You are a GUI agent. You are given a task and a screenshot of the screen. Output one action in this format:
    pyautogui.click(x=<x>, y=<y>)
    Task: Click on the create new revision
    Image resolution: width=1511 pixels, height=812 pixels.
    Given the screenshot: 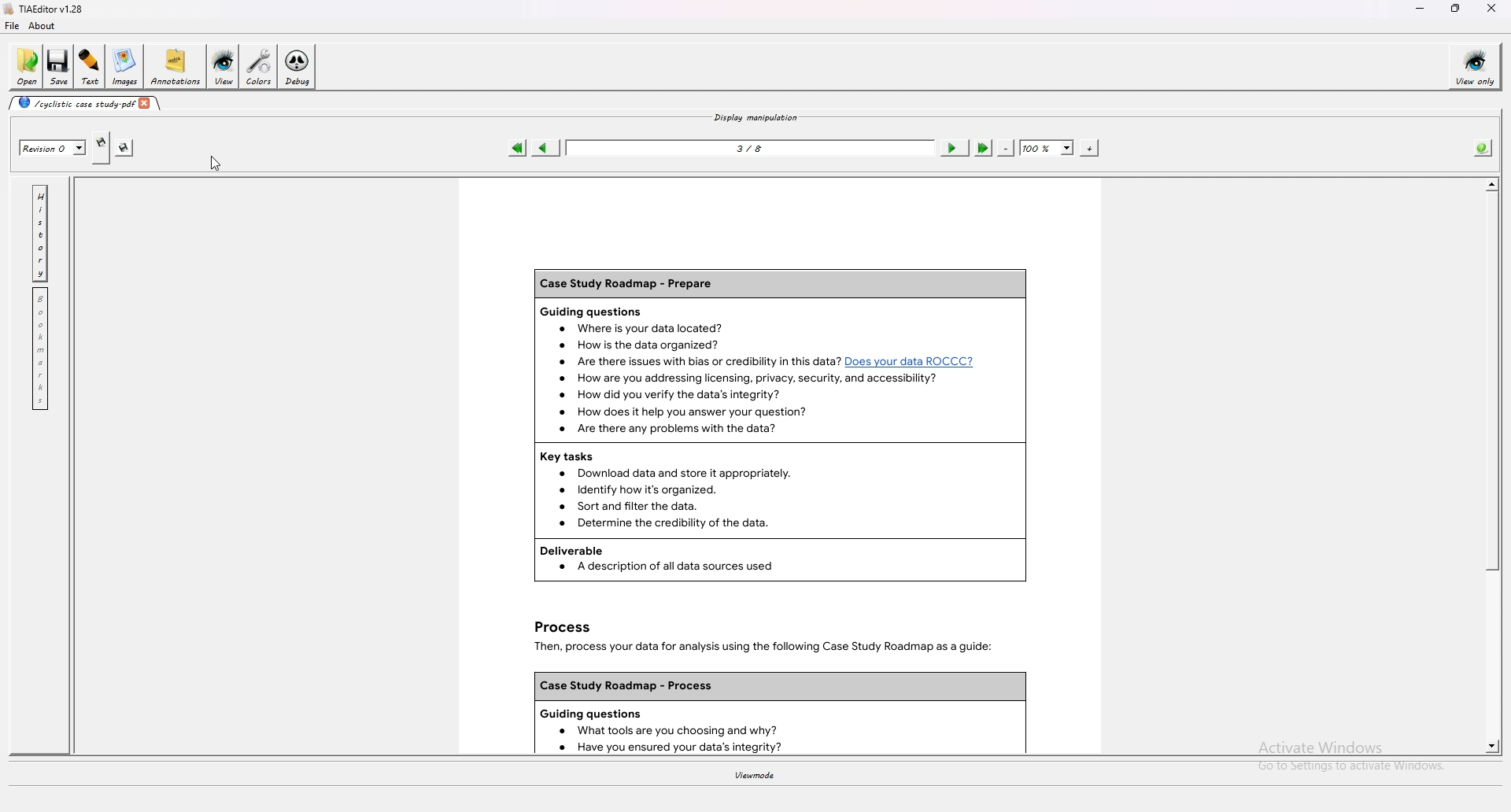 What is the action you would take?
    pyautogui.click(x=101, y=147)
    